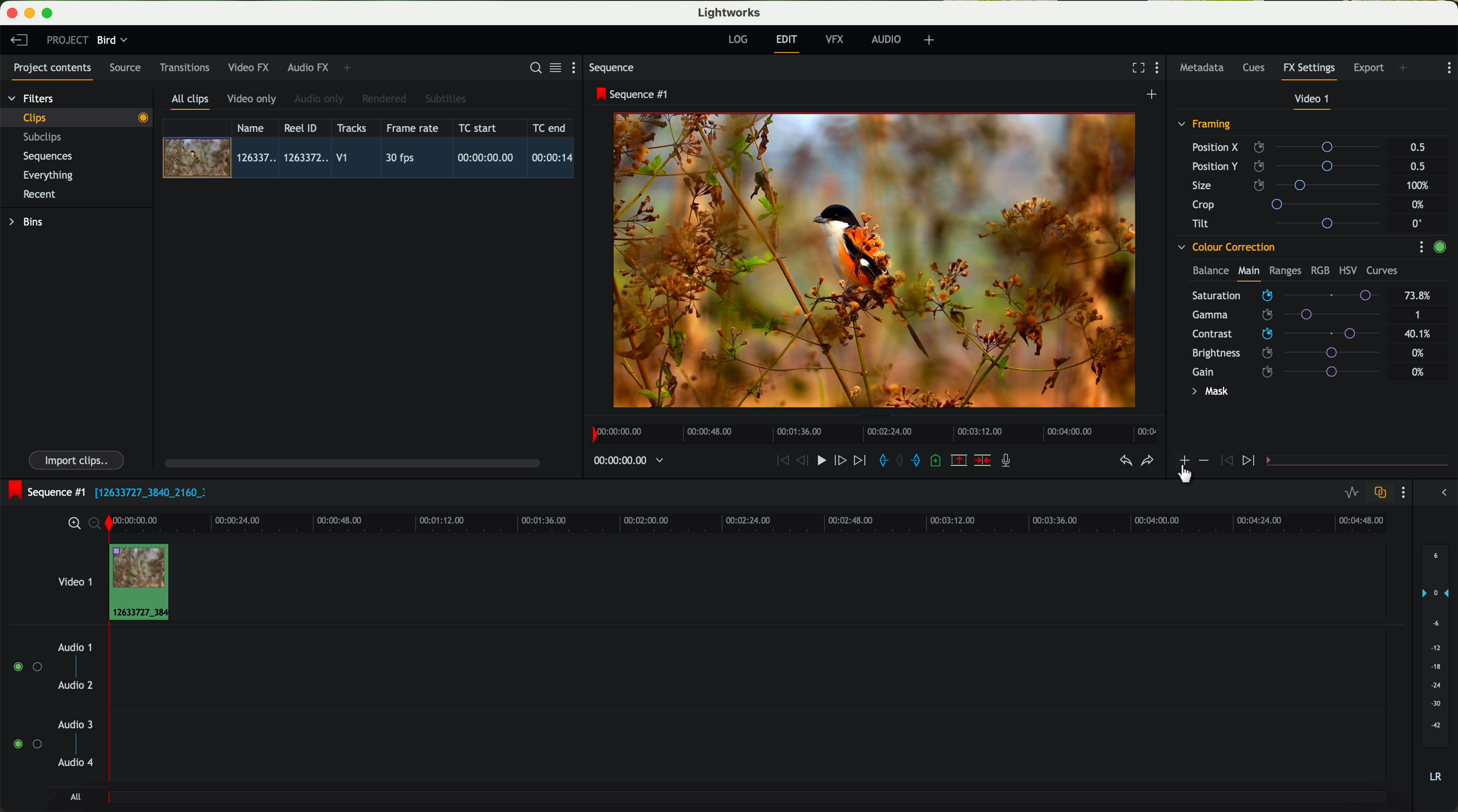  Describe the element at coordinates (1439, 248) in the screenshot. I see `enable` at that location.